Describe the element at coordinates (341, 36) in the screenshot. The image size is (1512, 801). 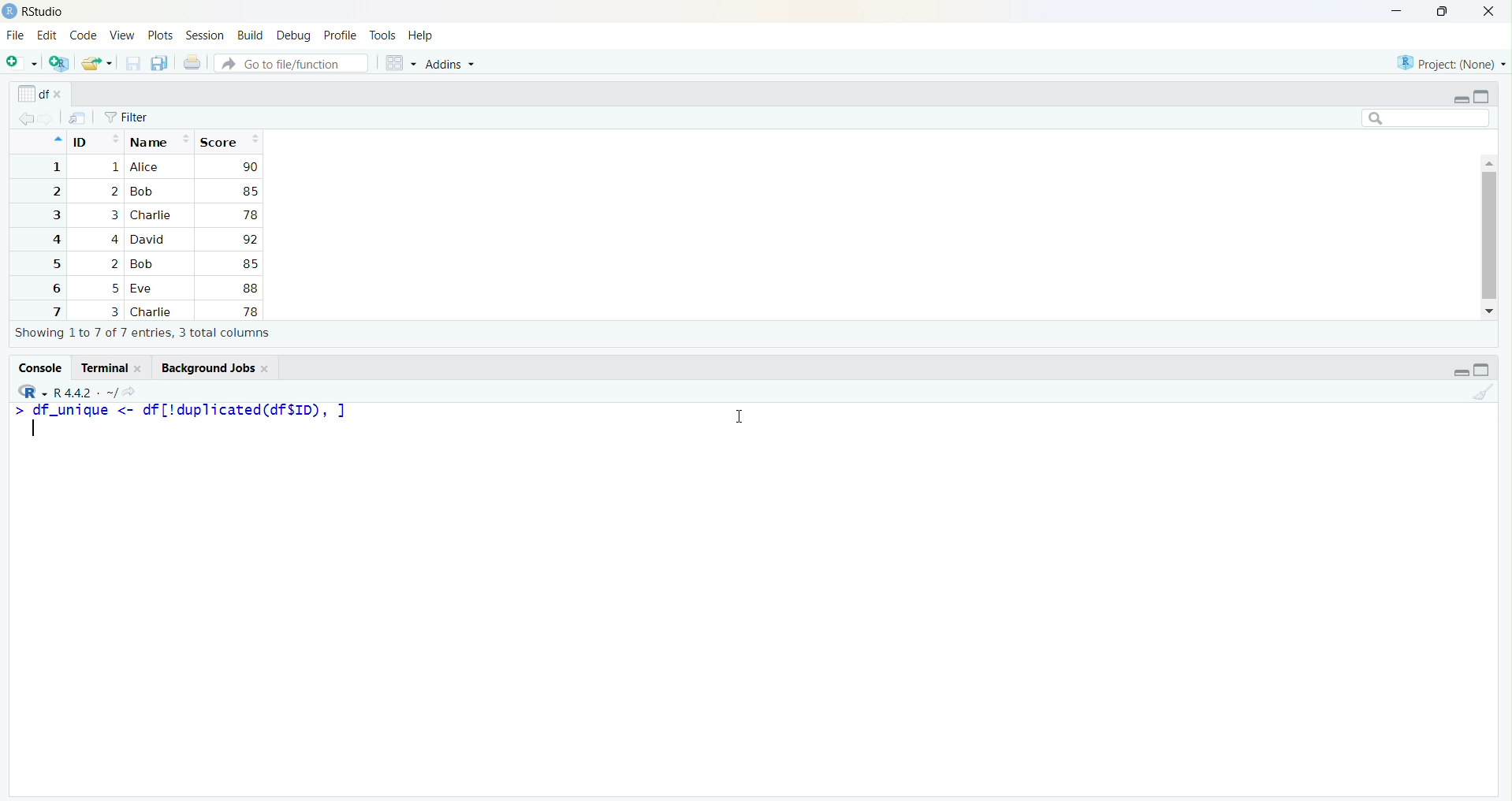
I see `Profile` at that location.